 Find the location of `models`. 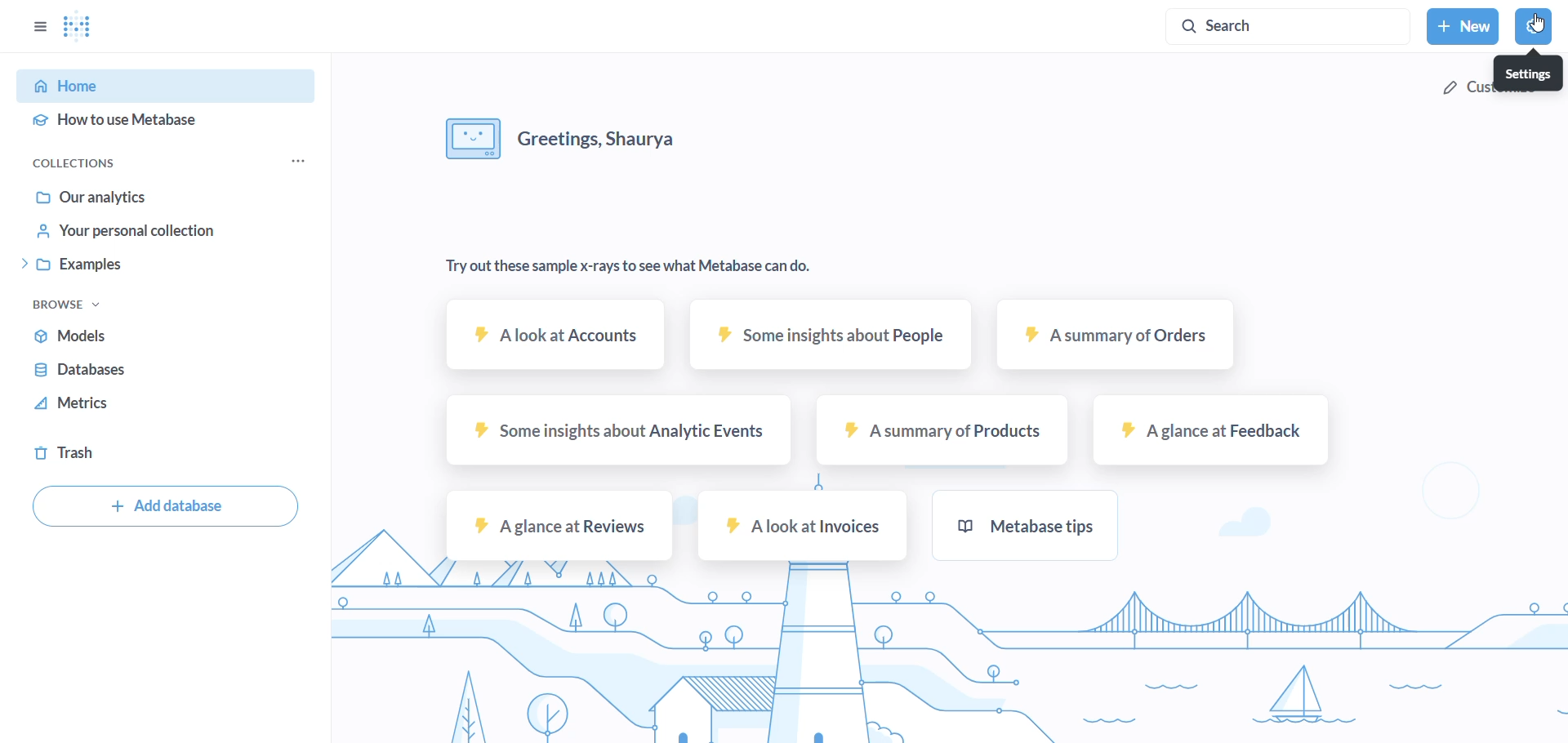

models is located at coordinates (77, 334).